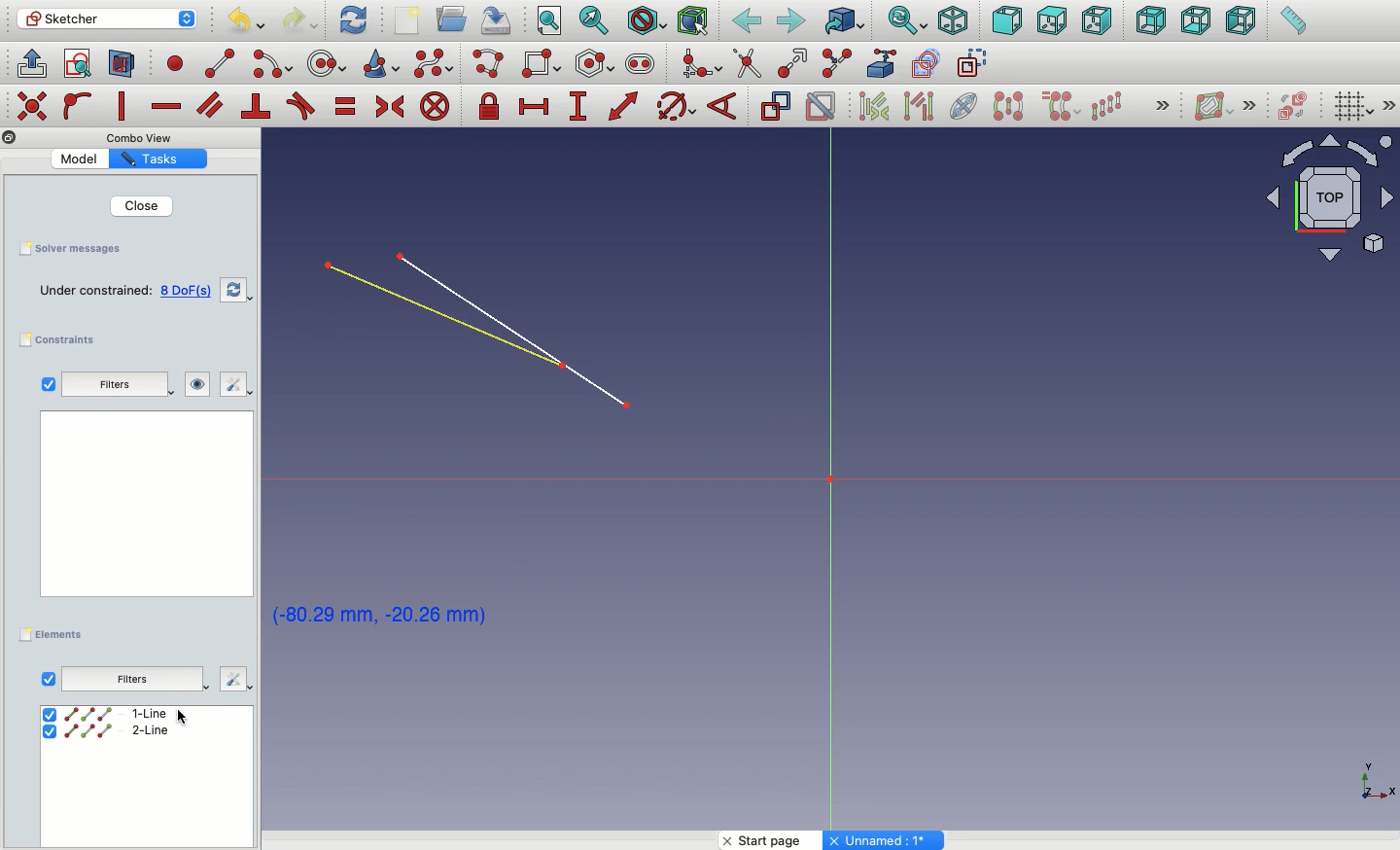  I want to click on Constrain angle, so click(724, 106).